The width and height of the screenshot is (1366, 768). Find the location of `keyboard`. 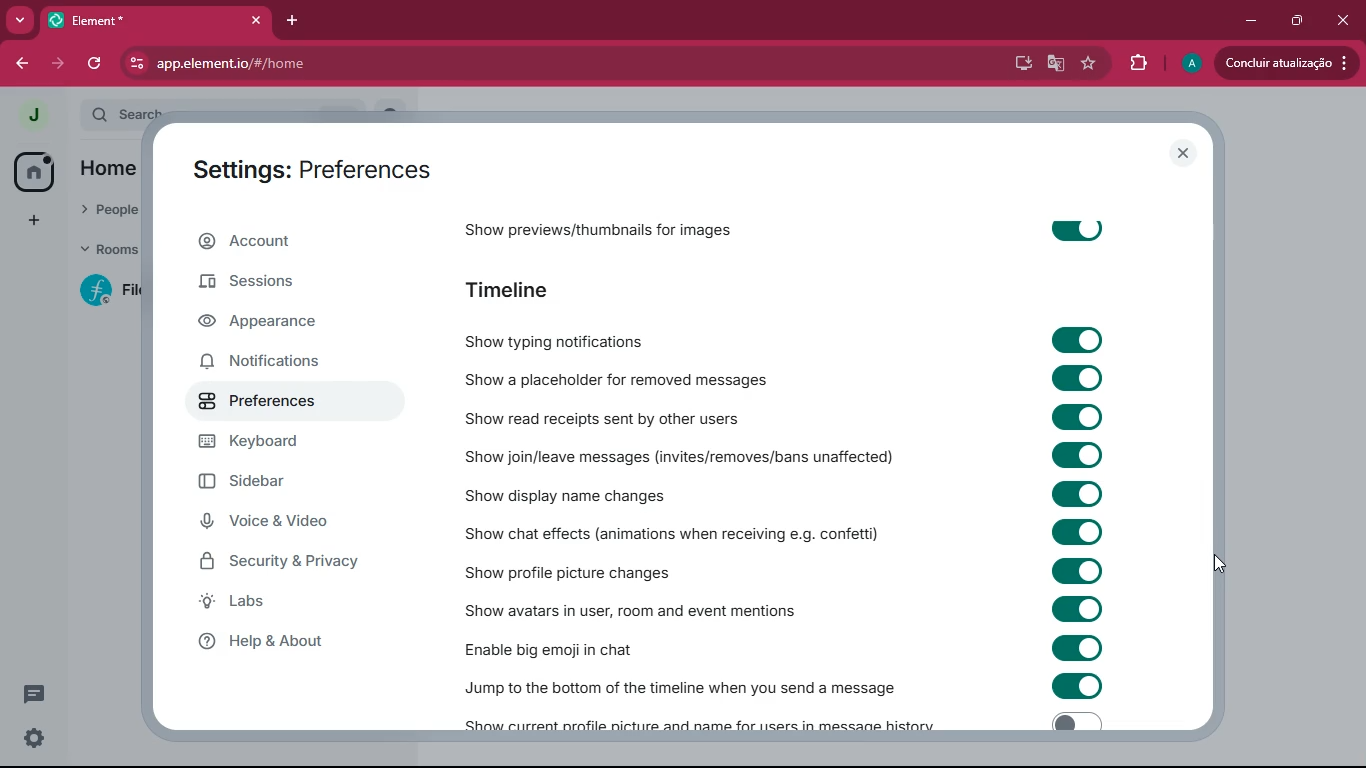

keyboard is located at coordinates (286, 444).